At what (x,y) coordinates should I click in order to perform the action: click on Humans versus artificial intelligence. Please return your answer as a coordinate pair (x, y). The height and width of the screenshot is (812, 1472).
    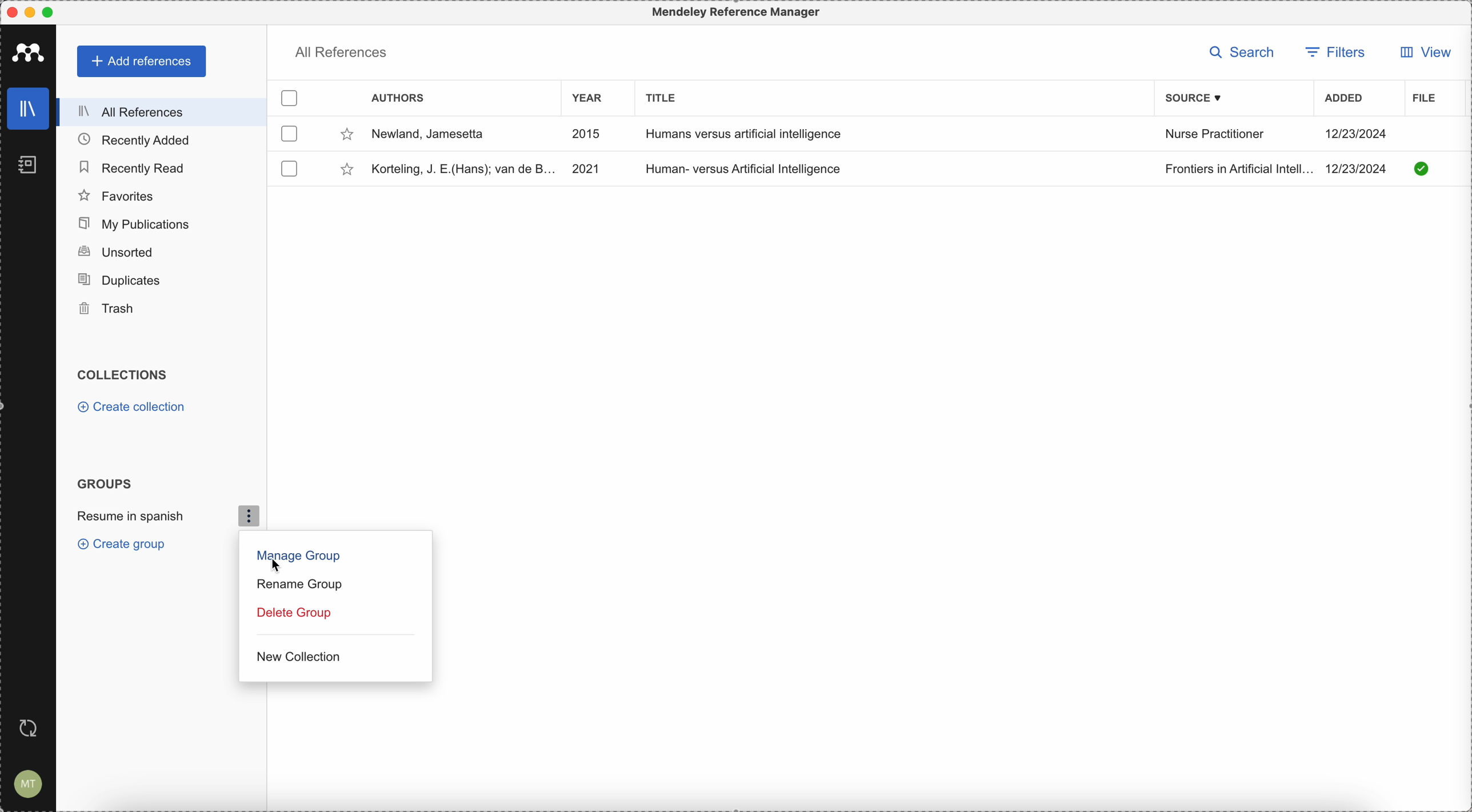
    Looking at the image, I should click on (742, 133).